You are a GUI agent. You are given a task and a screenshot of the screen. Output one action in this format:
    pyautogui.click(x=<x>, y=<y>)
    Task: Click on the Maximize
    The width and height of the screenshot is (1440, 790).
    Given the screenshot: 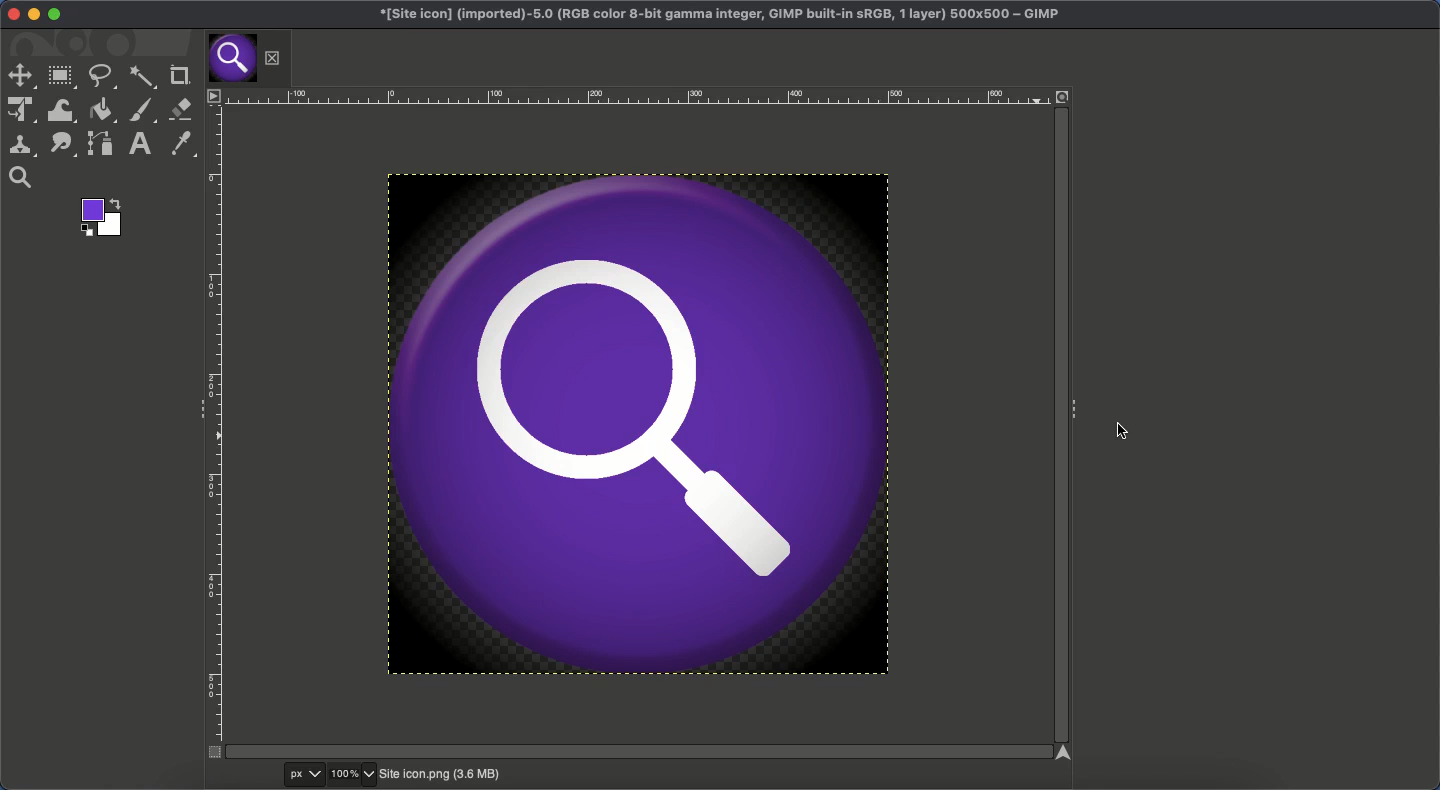 What is the action you would take?
    pyautogui.click(x=55, y=15)
    